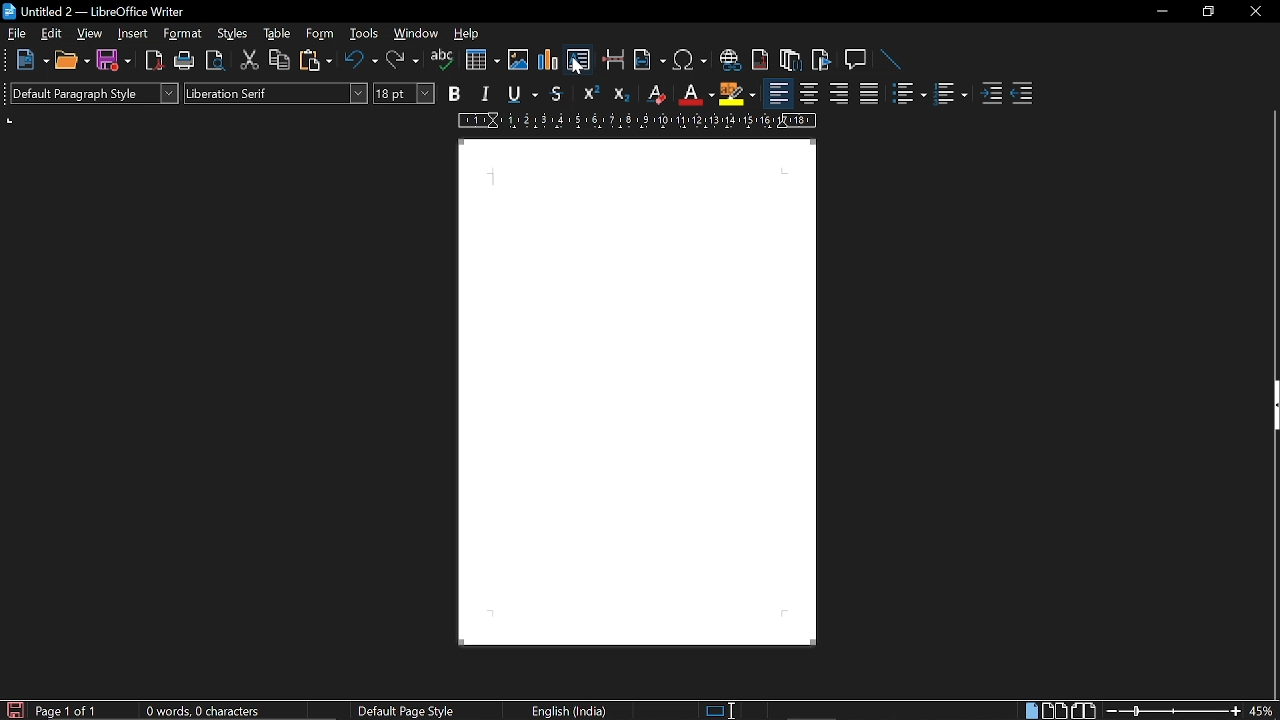 The height and width of the screenshot is (720, 1280). What do you see at coordinates (572, 710) in the screenshot?
I see `English(India)` at bounding box center [572, 710].